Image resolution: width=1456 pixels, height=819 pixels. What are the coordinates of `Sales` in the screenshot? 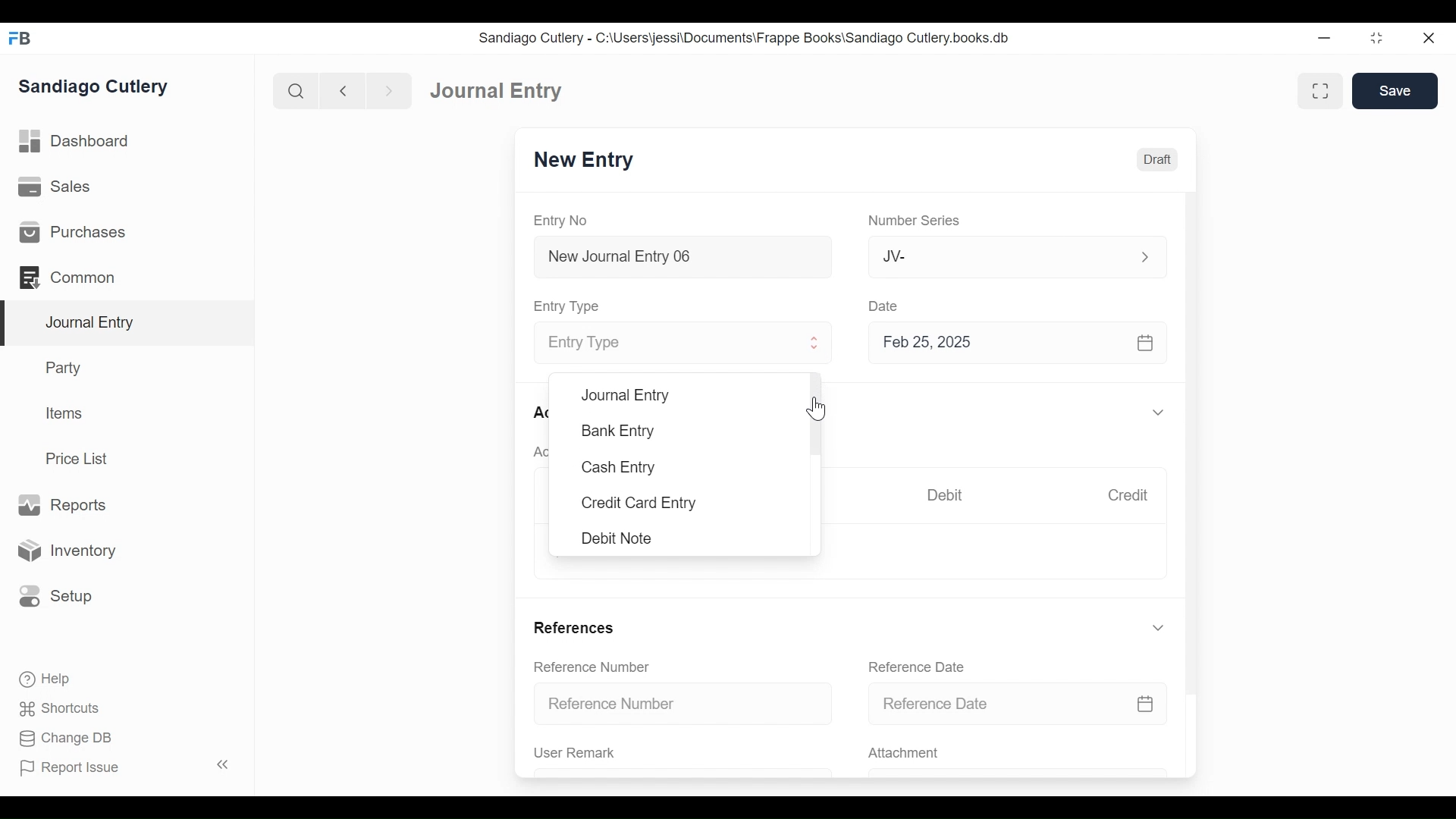 It's located at (60, 187).